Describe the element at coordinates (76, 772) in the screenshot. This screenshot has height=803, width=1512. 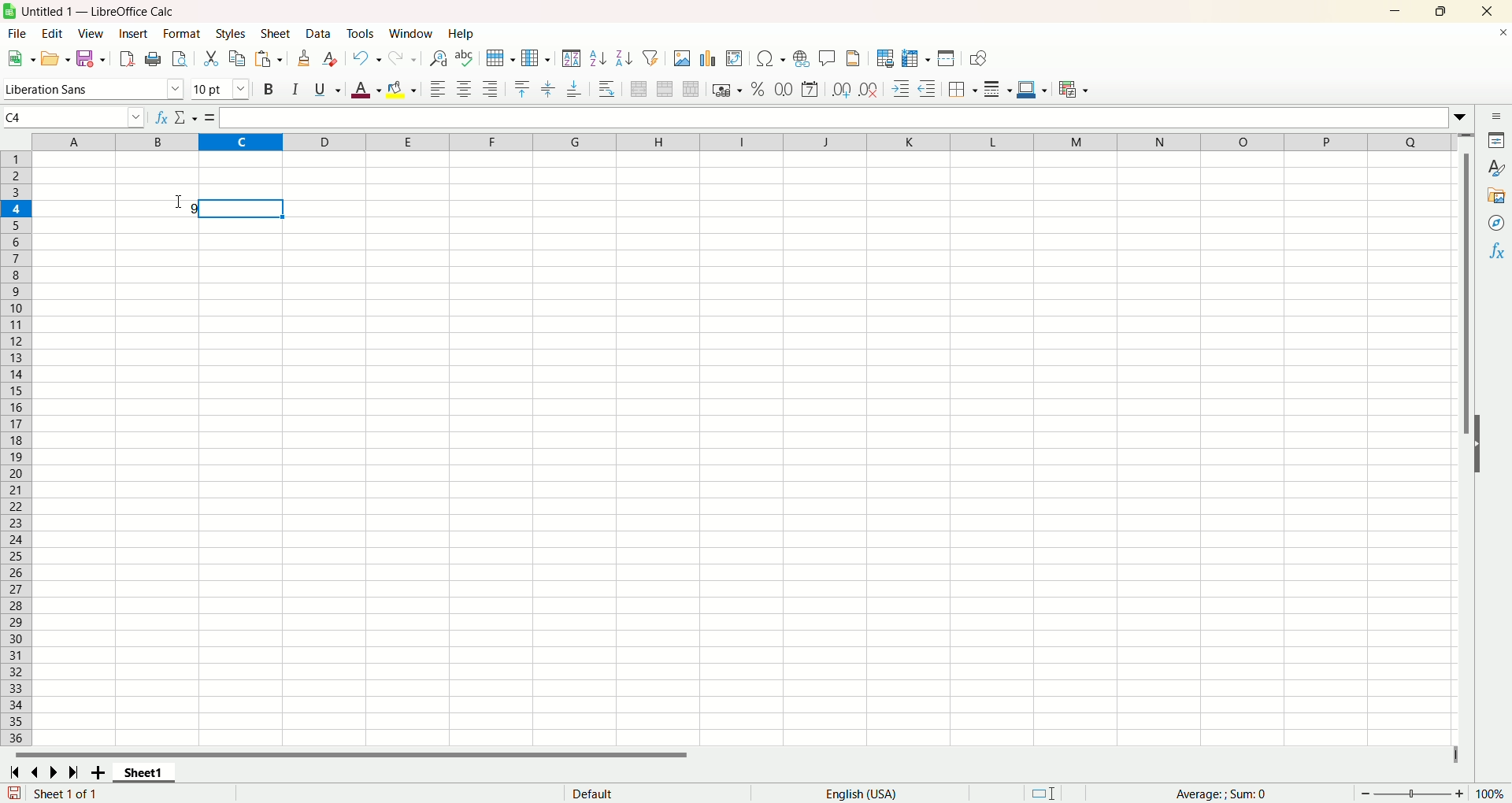
I see `last sheet` at that location.